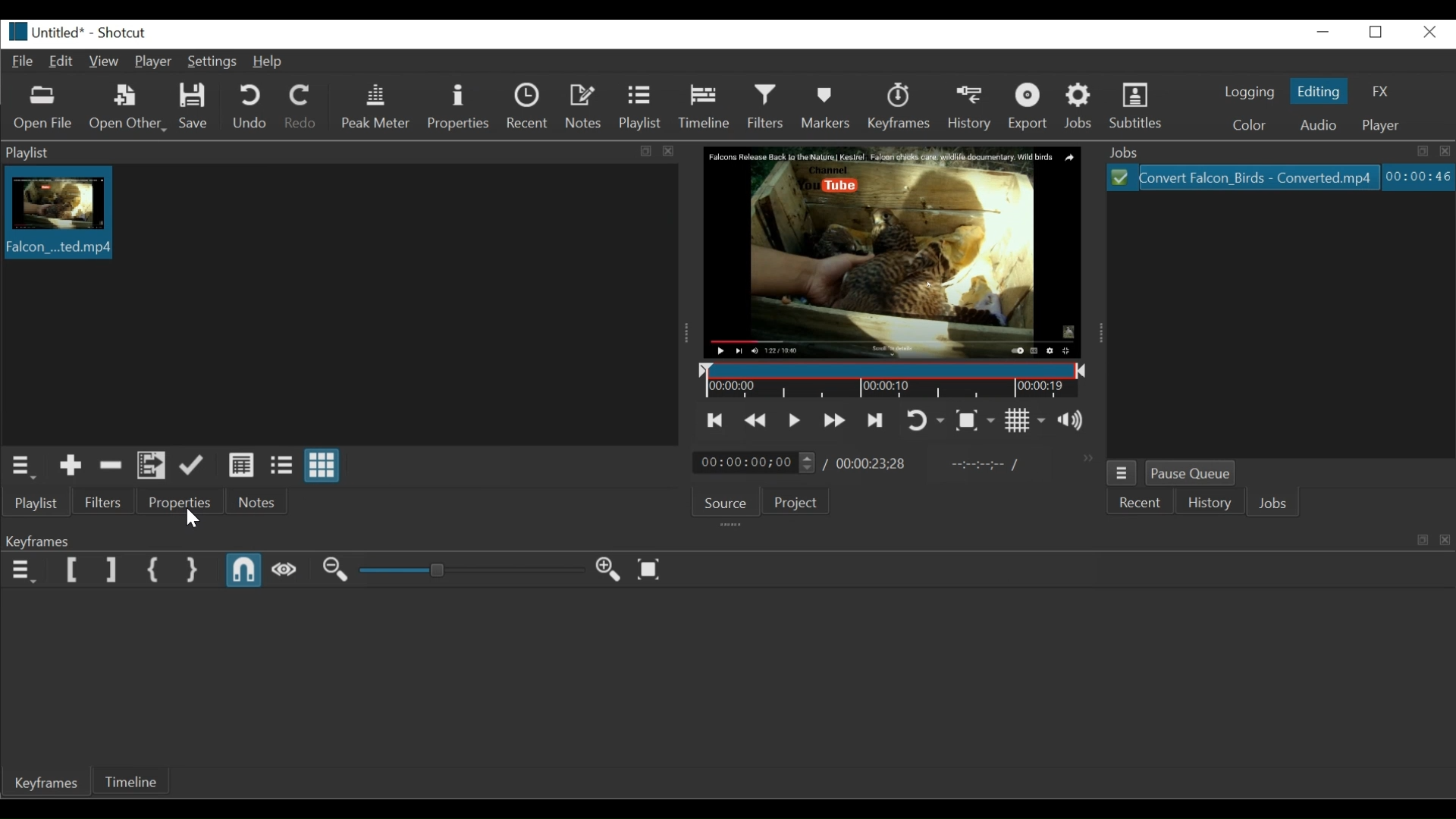 Image resolution: width=1456 pixels, height=819 pixels. I want to click on Edit, so click(61, 62).